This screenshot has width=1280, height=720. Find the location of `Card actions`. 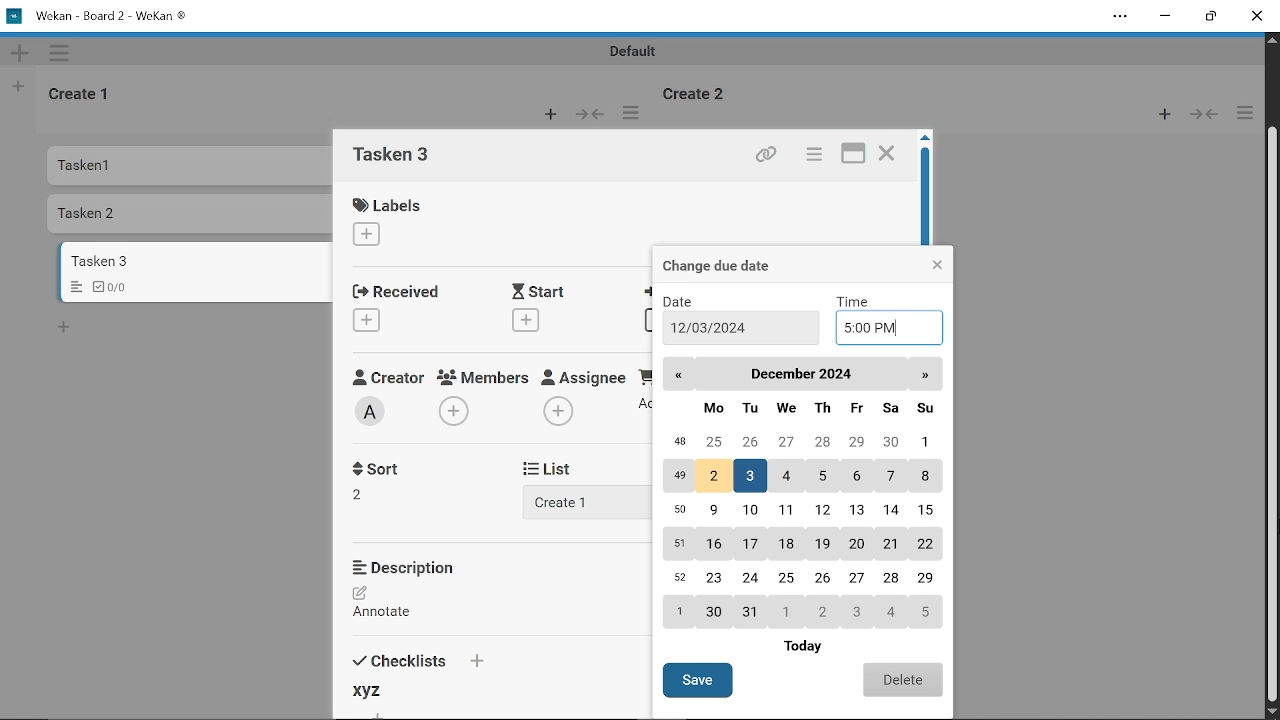

Card actions is located at coordinates (812, 156).